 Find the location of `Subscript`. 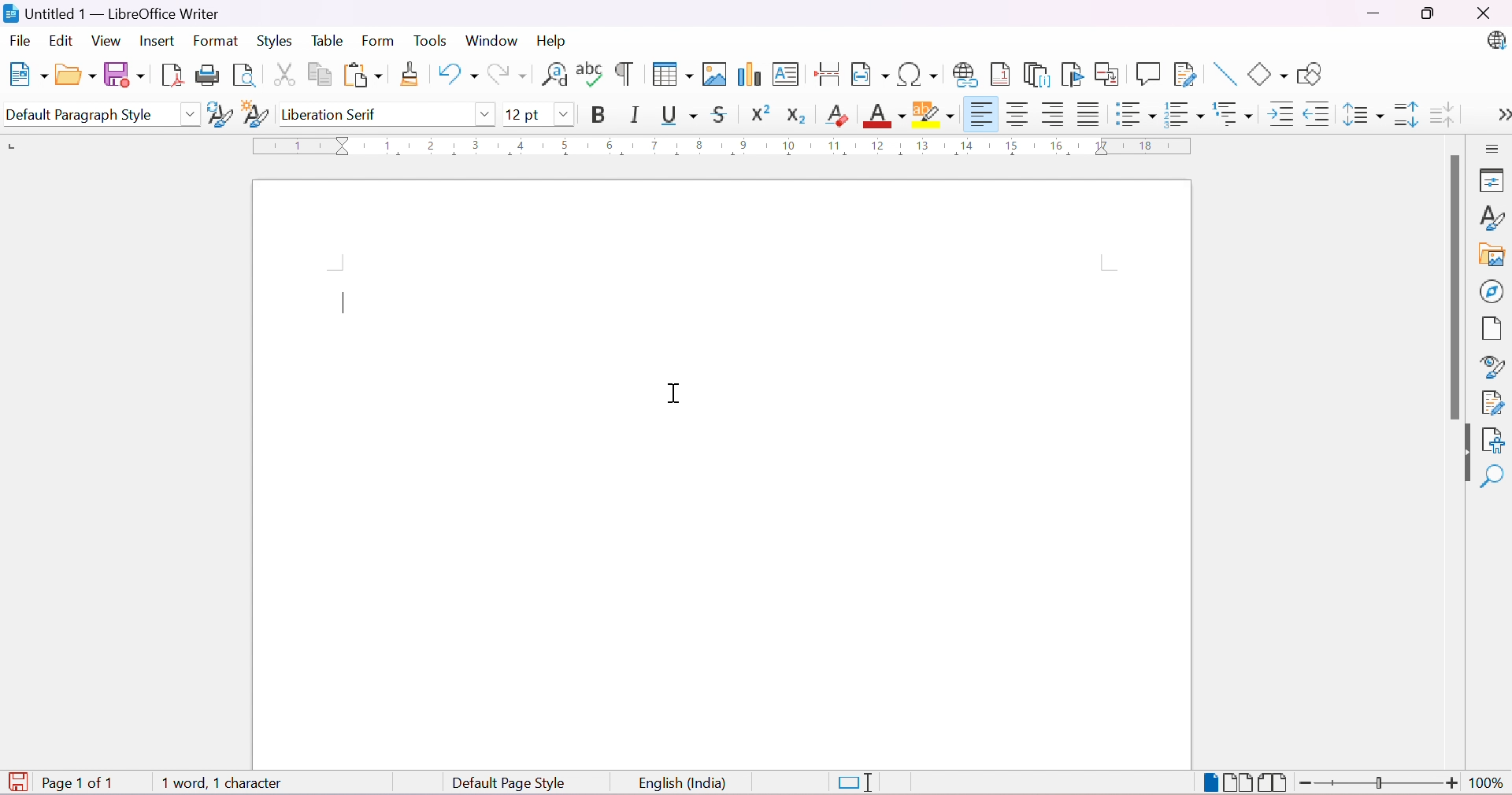

Subscript is located at coordinates (795, 116).